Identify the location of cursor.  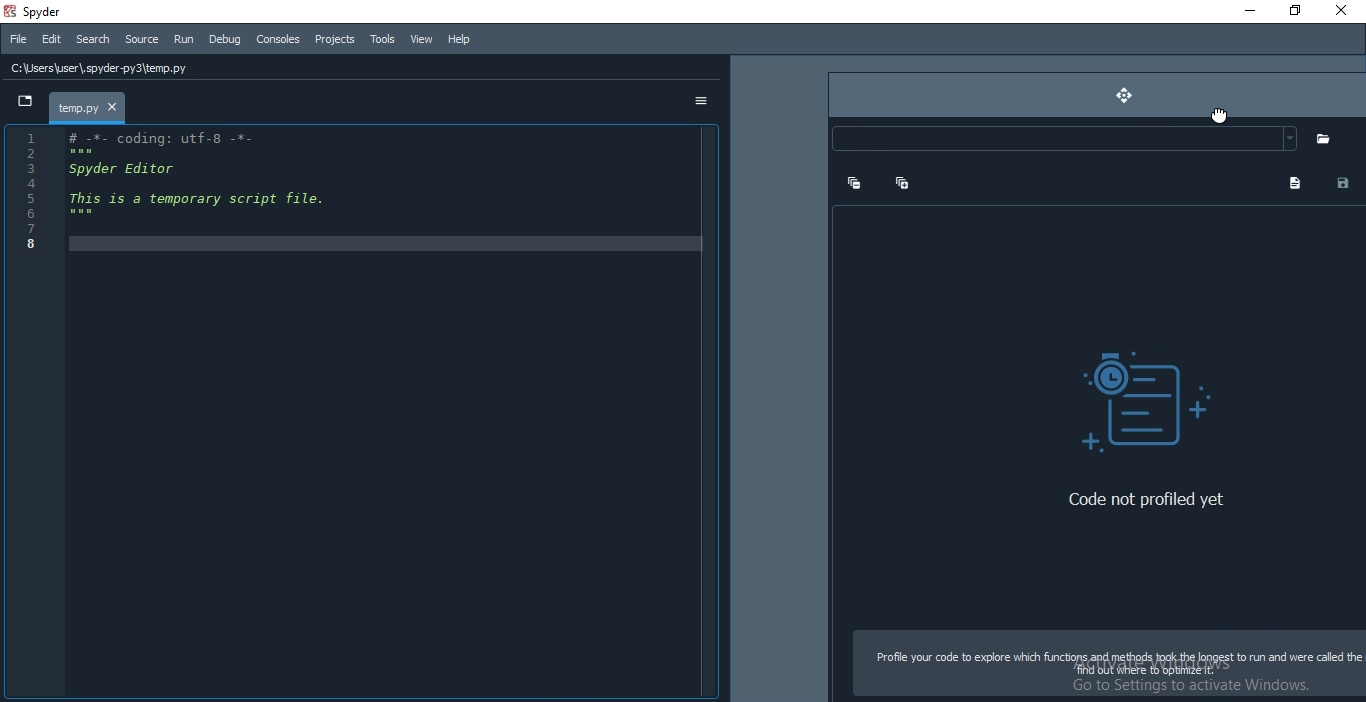
(1219, 116).